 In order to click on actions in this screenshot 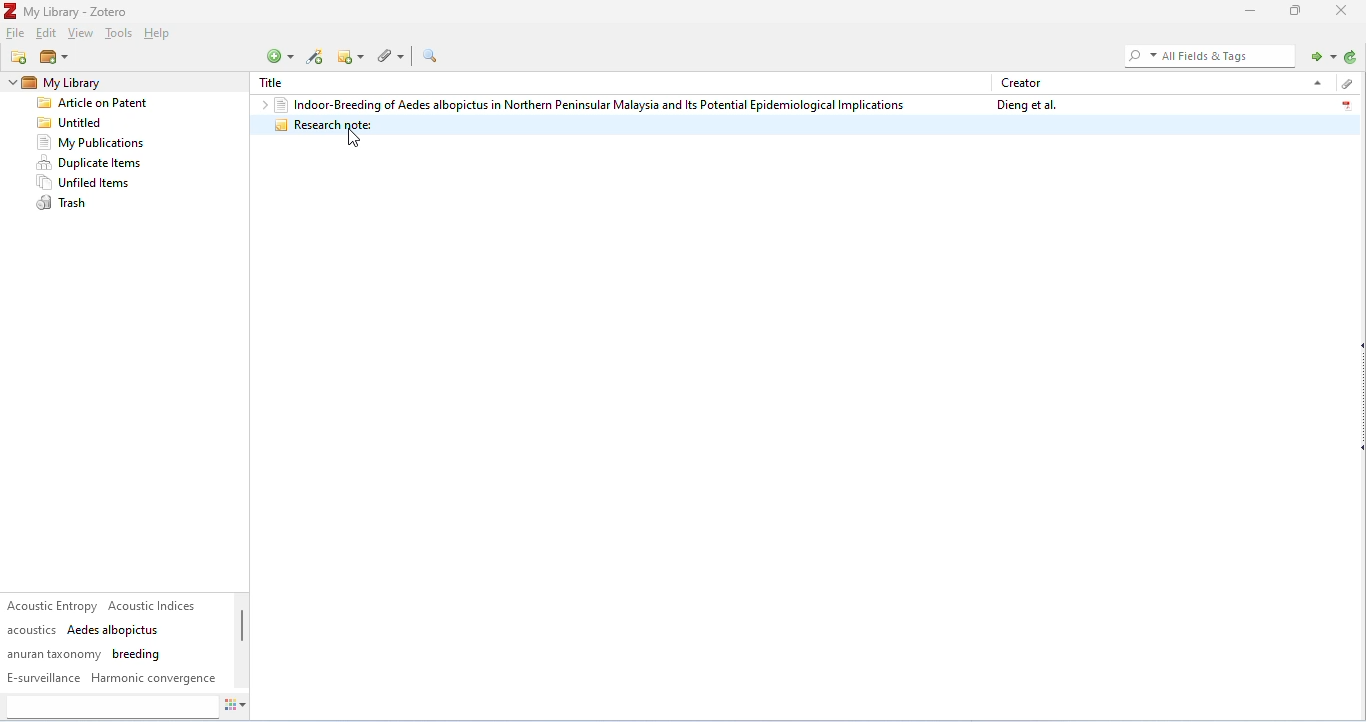, I will do `click(236, 708)`.